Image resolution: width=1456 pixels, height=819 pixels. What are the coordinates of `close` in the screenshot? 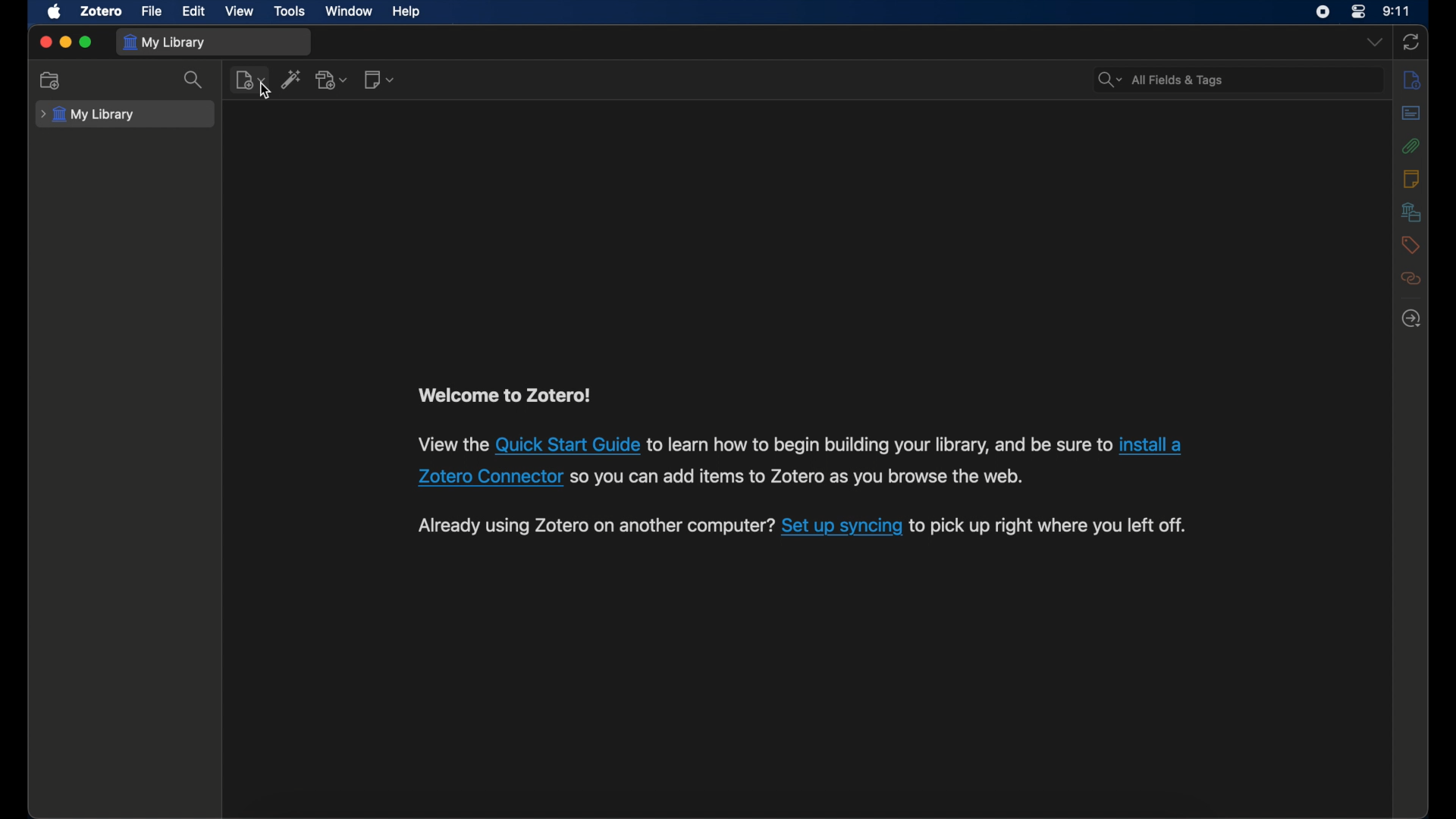 It's located at (45, 41).